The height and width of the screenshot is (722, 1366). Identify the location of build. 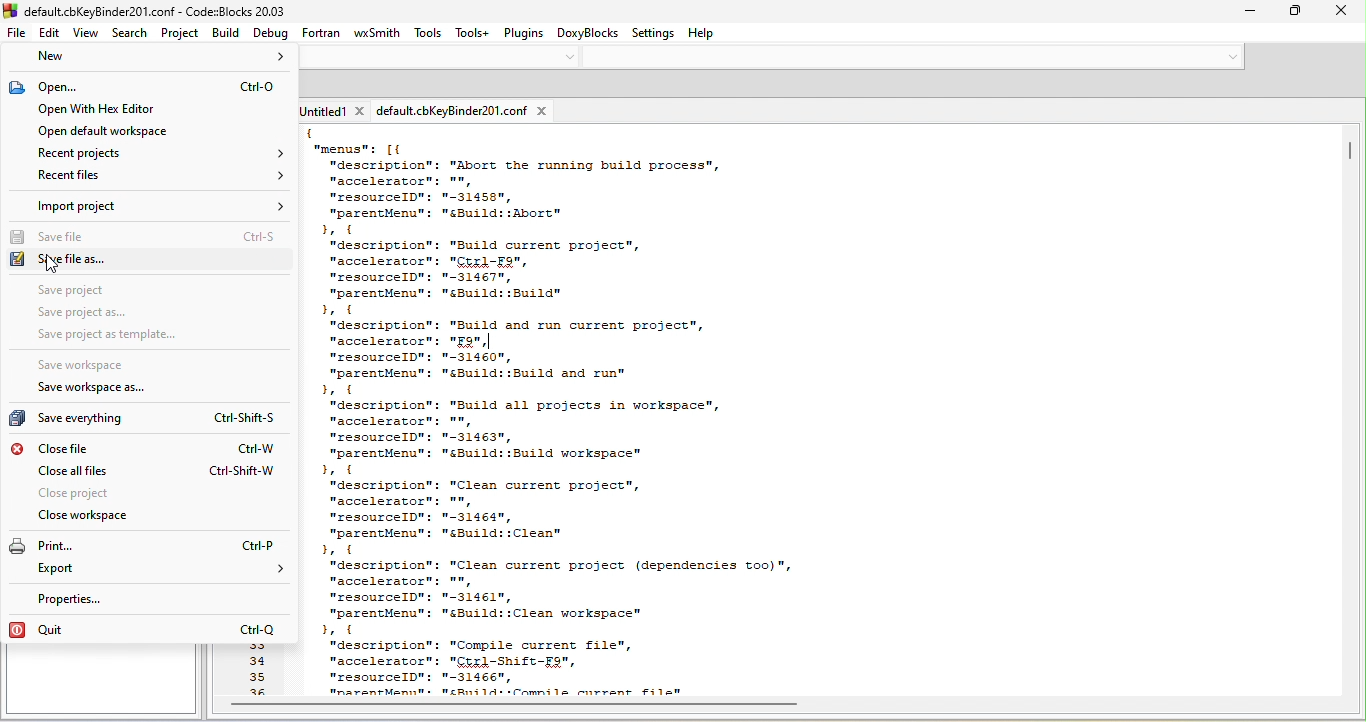
(226, 32).